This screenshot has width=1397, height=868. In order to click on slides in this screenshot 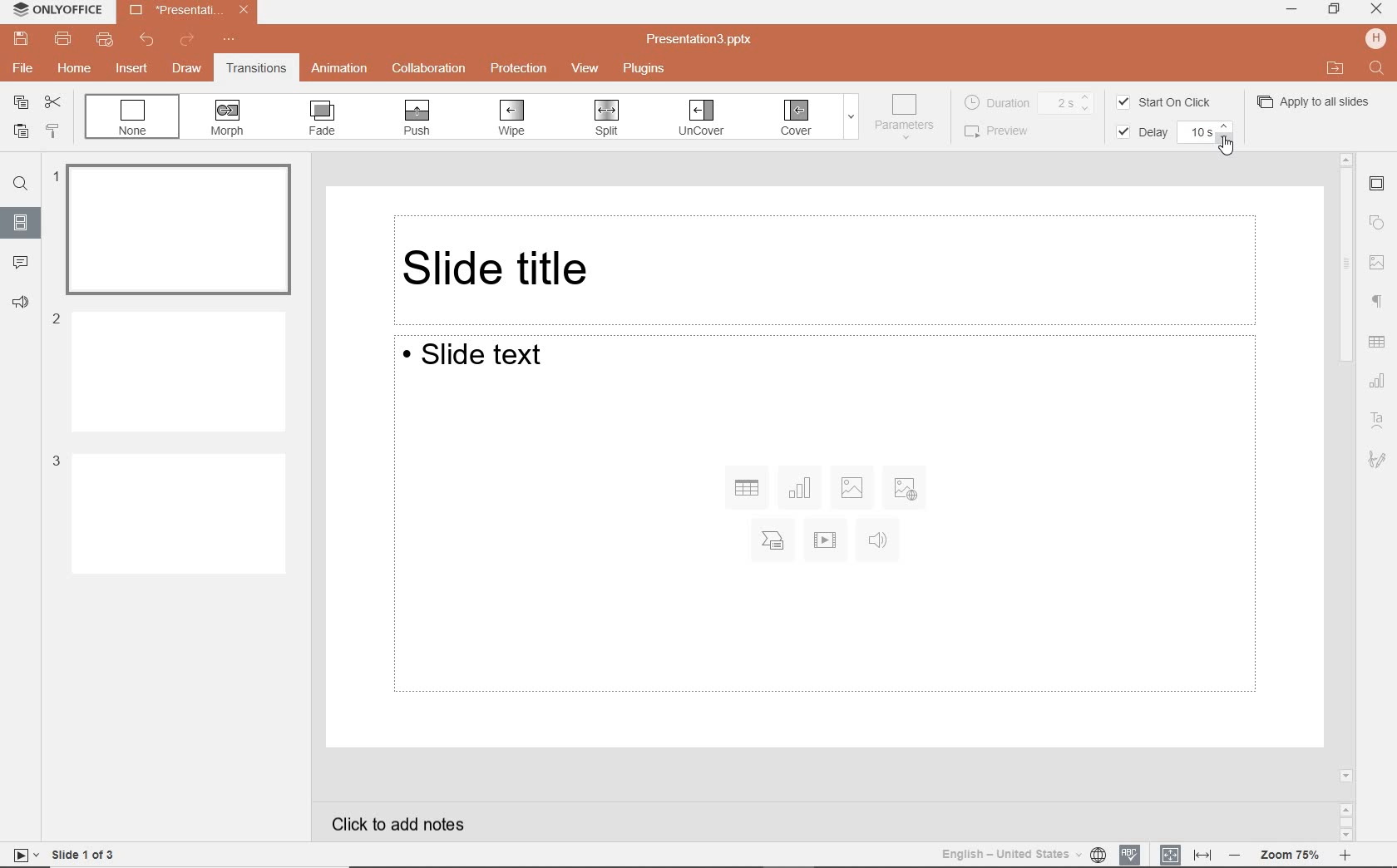, I will do `click(21, 222)`.